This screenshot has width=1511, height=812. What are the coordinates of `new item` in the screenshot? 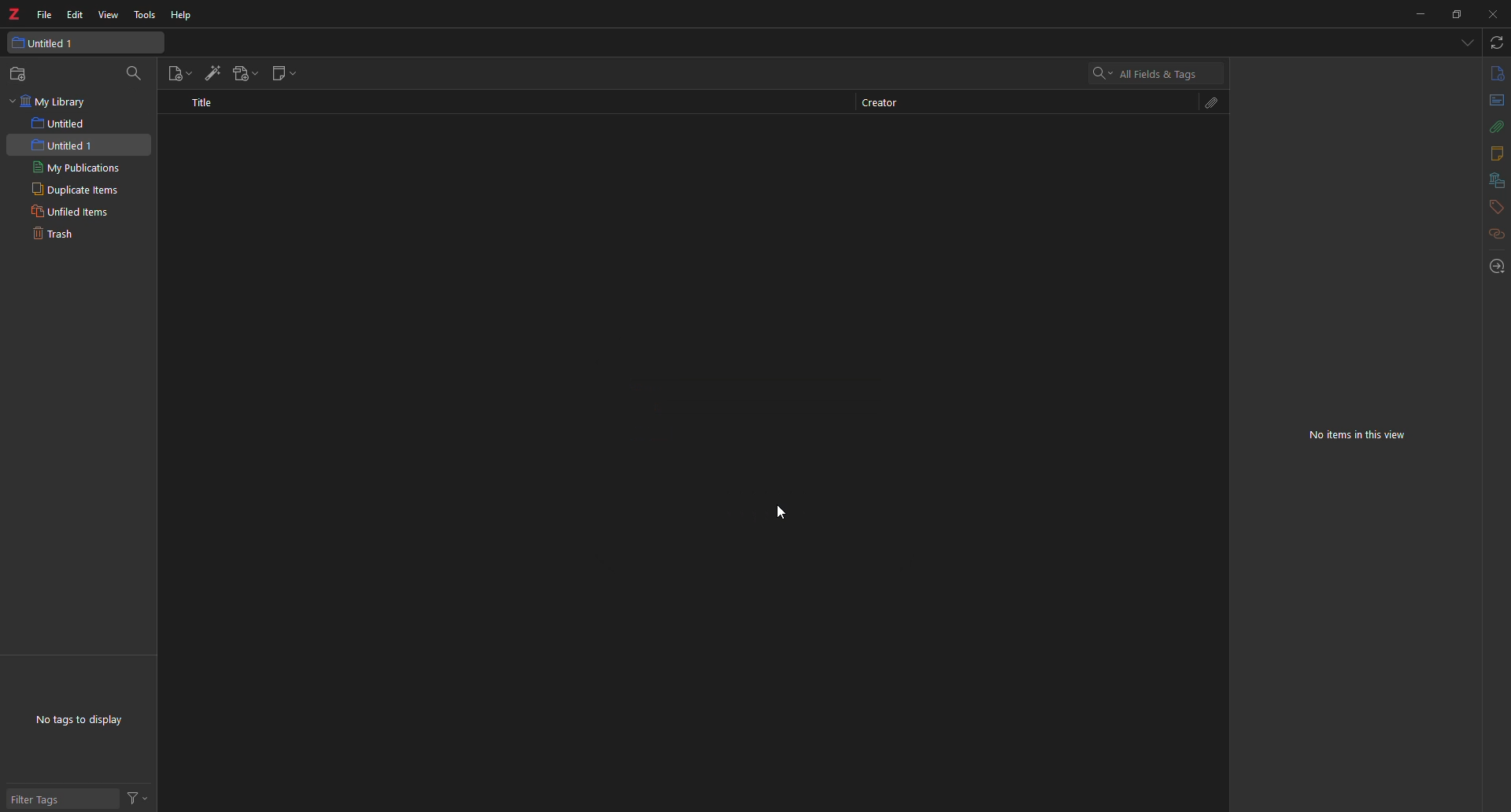 It's located at (179, 73).